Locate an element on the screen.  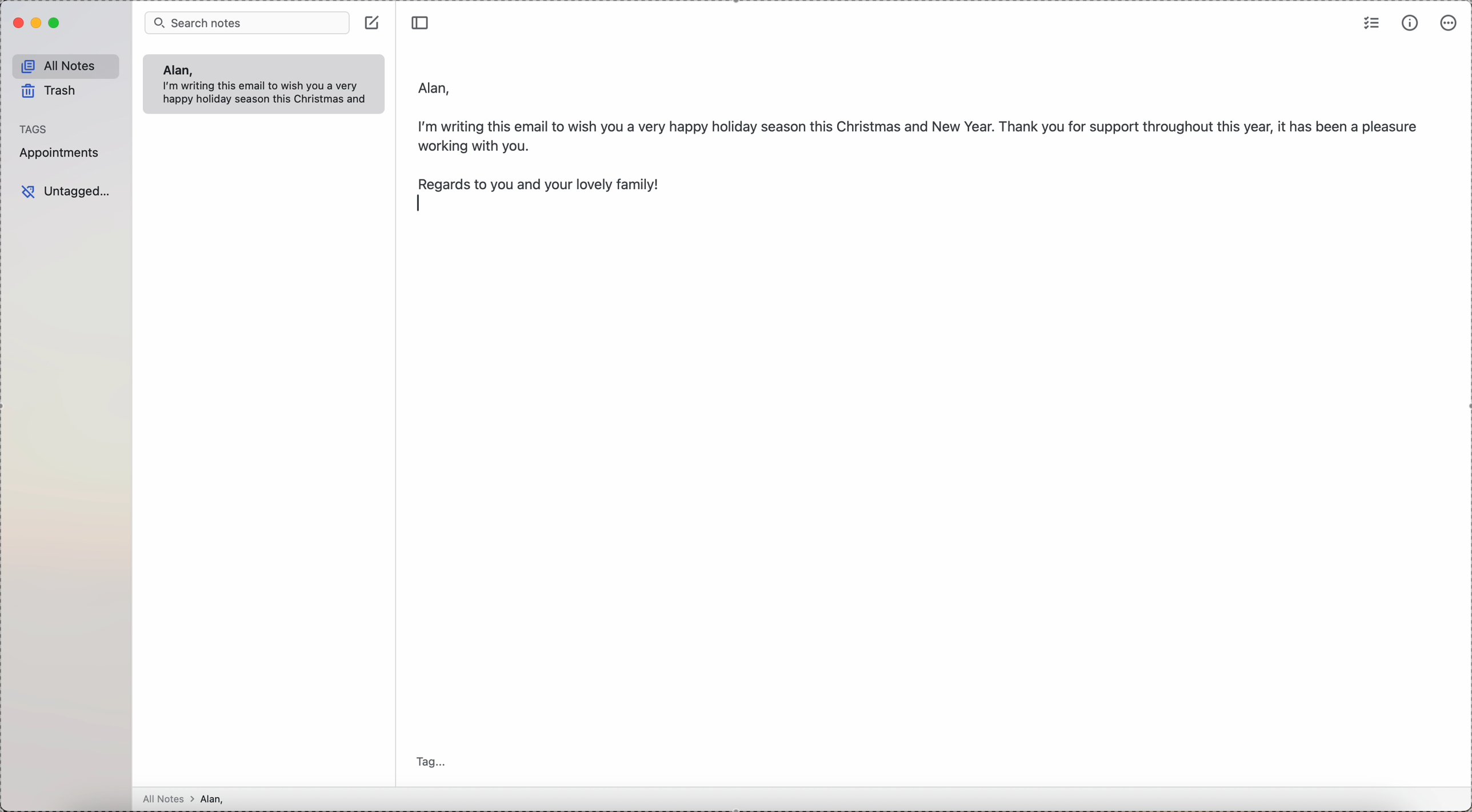
untagged is located at coordinates (66, 192).